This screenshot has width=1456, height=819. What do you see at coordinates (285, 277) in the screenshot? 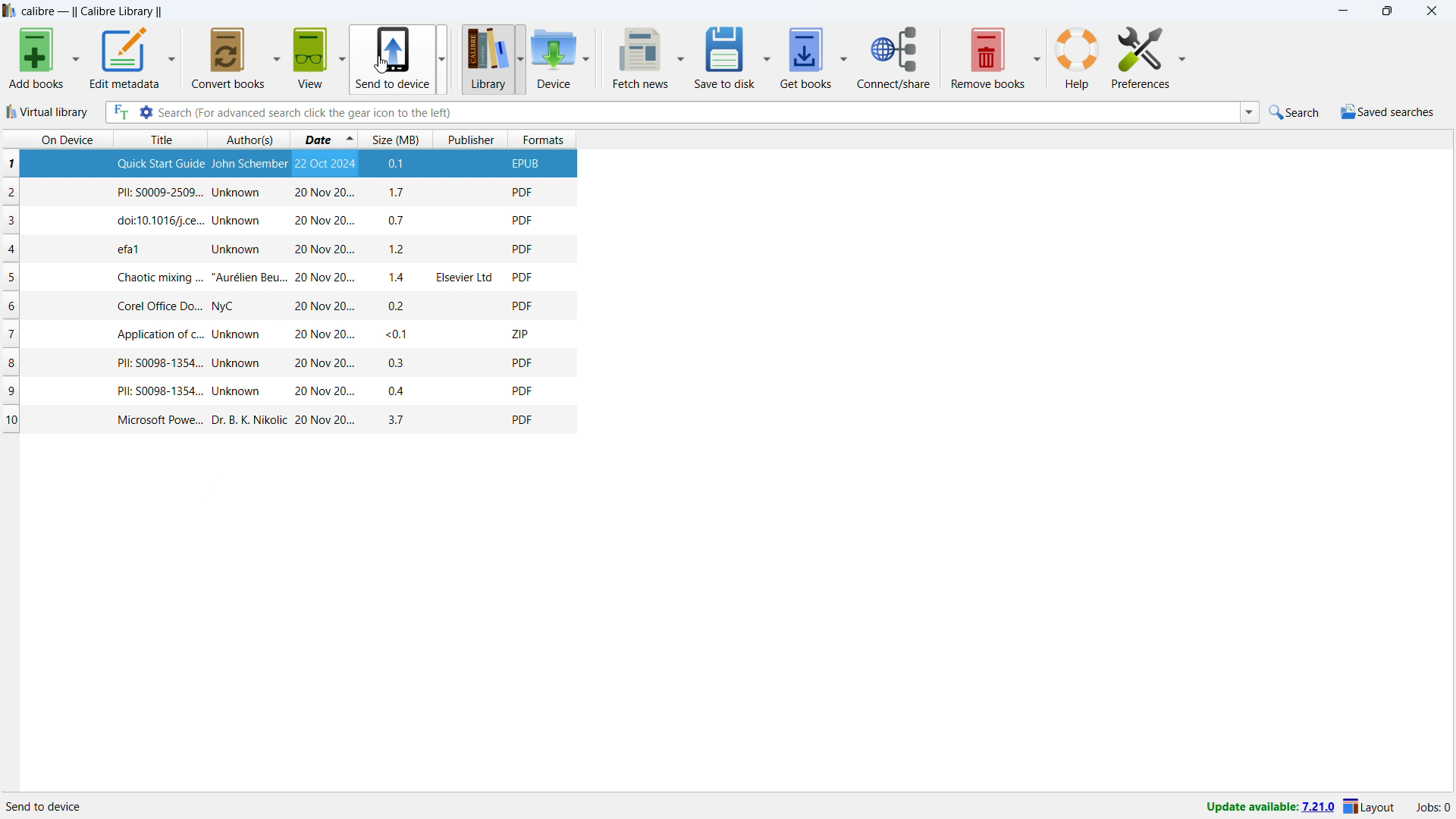
I see `one book entry` at bounding box center [285, 277].